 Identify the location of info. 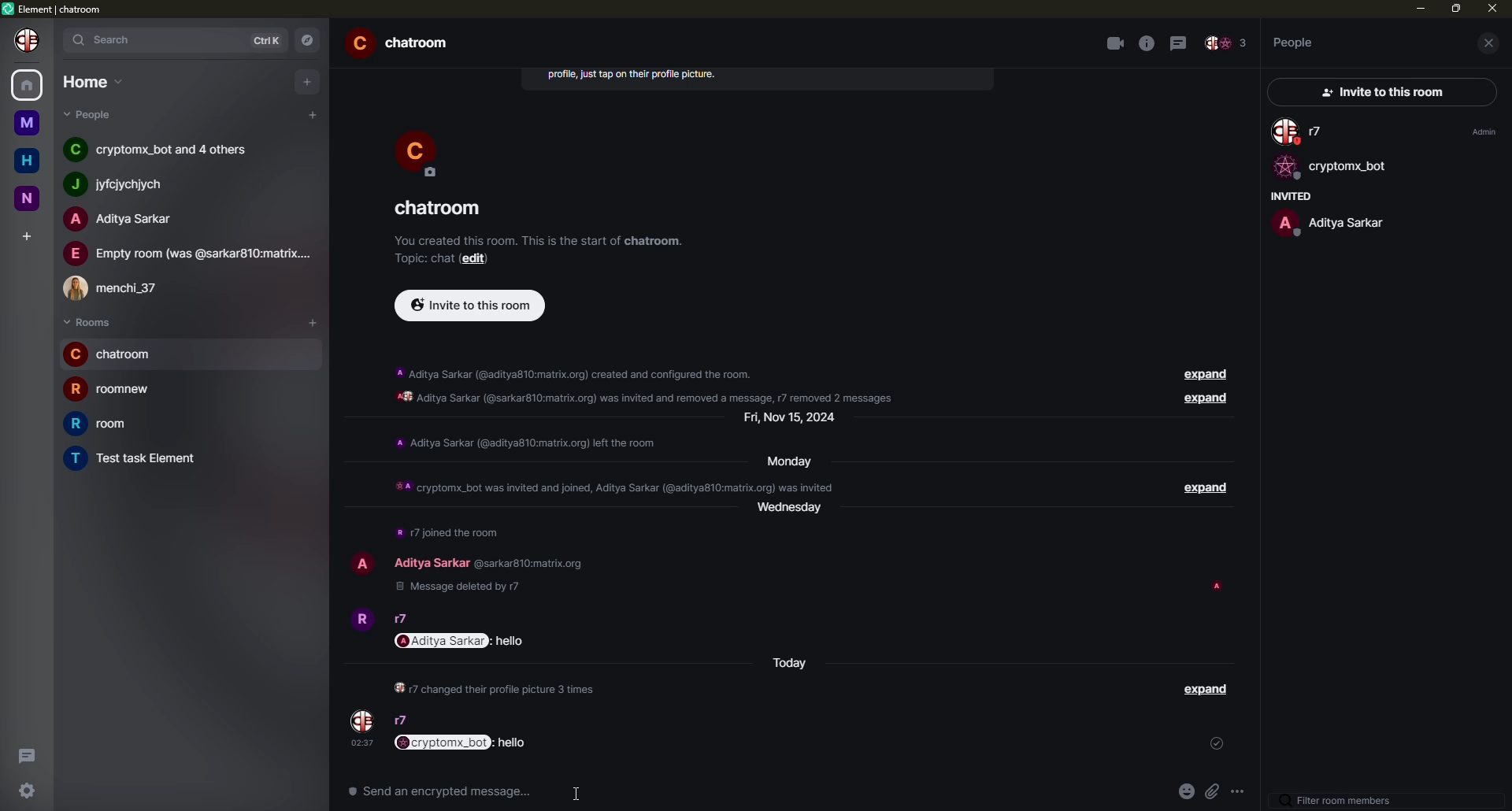
(539, 237).